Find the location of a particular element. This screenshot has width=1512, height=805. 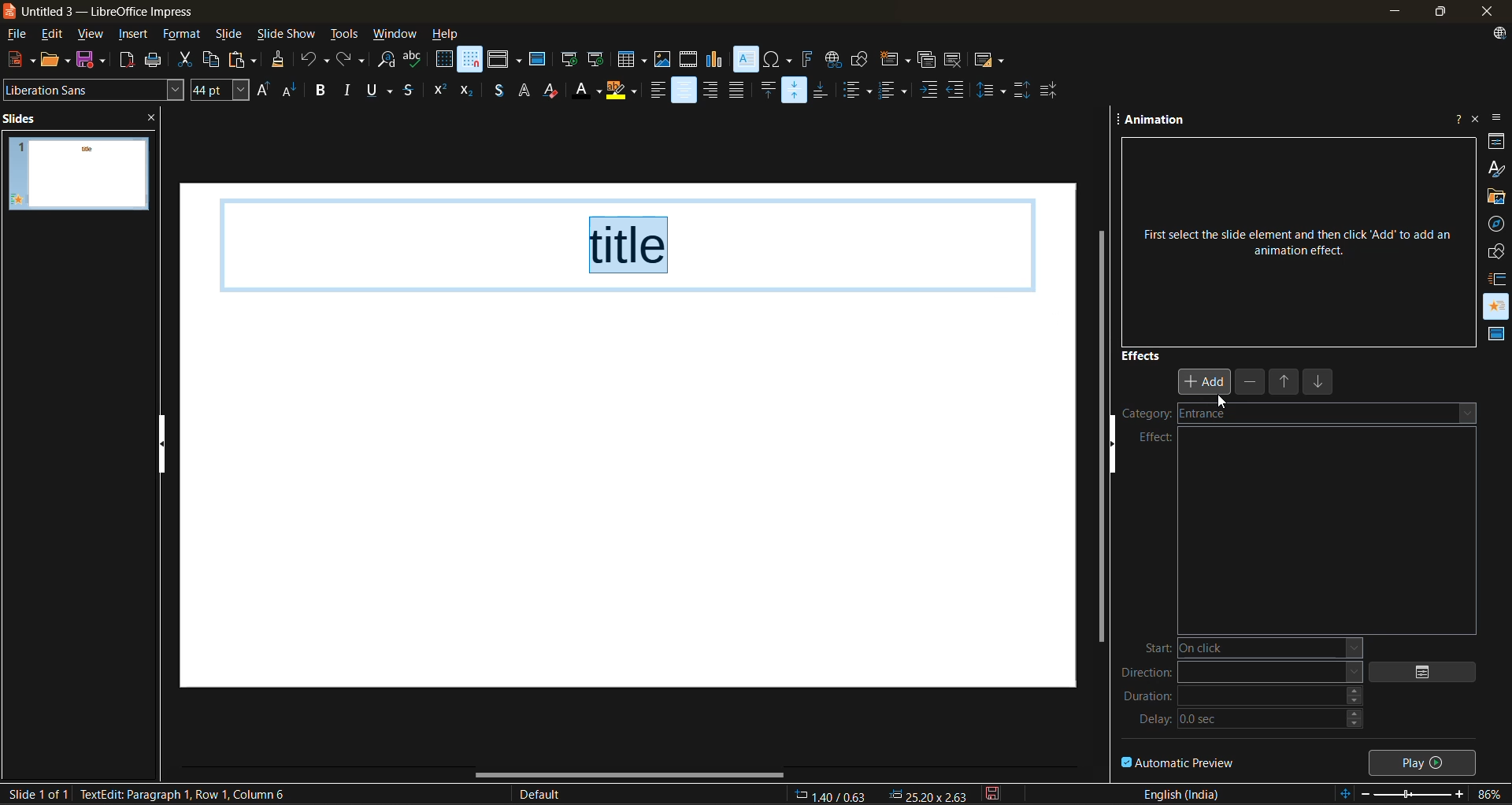

tools is located at coordinates (345, 36).